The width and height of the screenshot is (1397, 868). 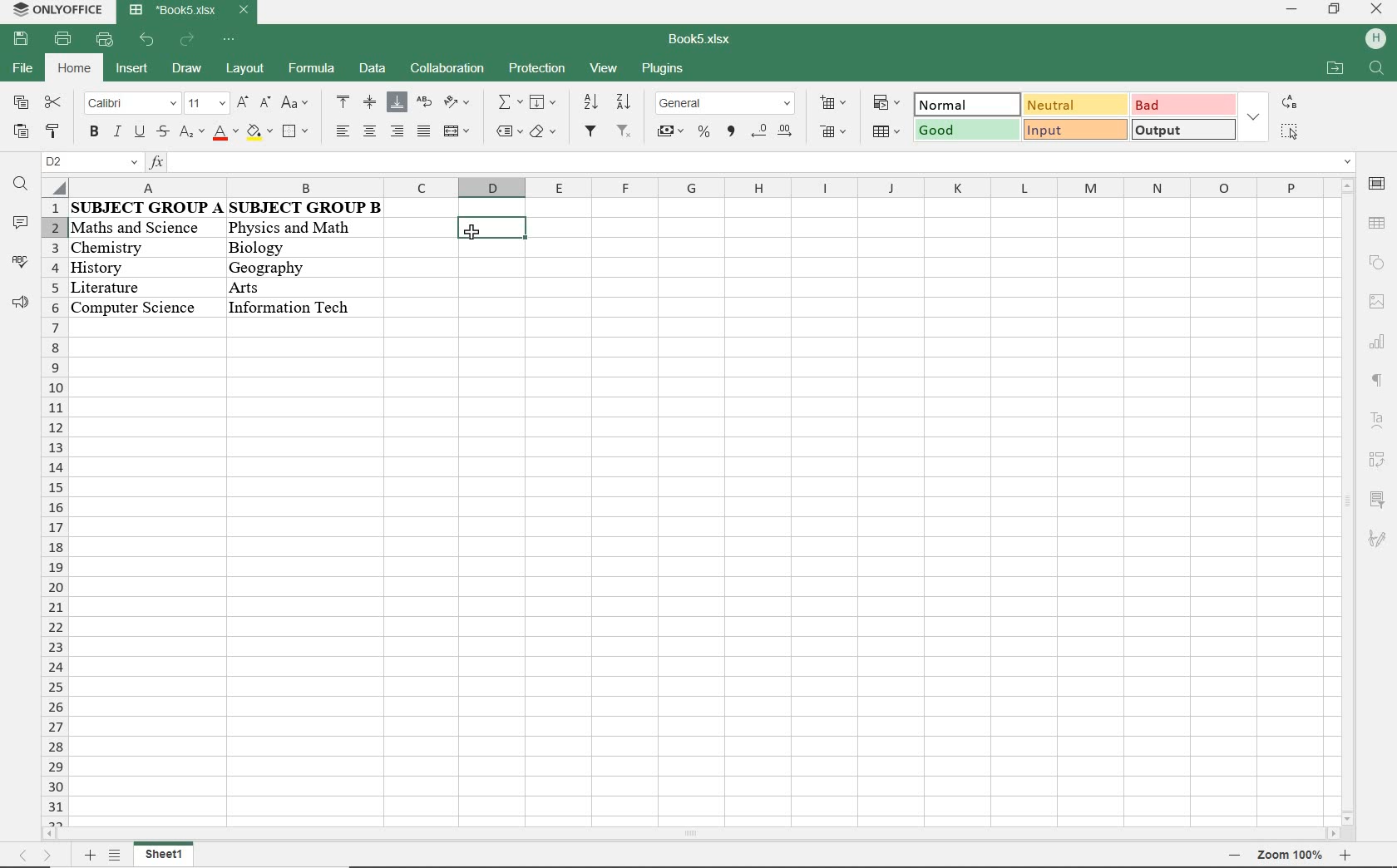 What do you see at coordinates (1378, 419) in the screenshot?
I see `Text art` at bounding box center [1378, 419].